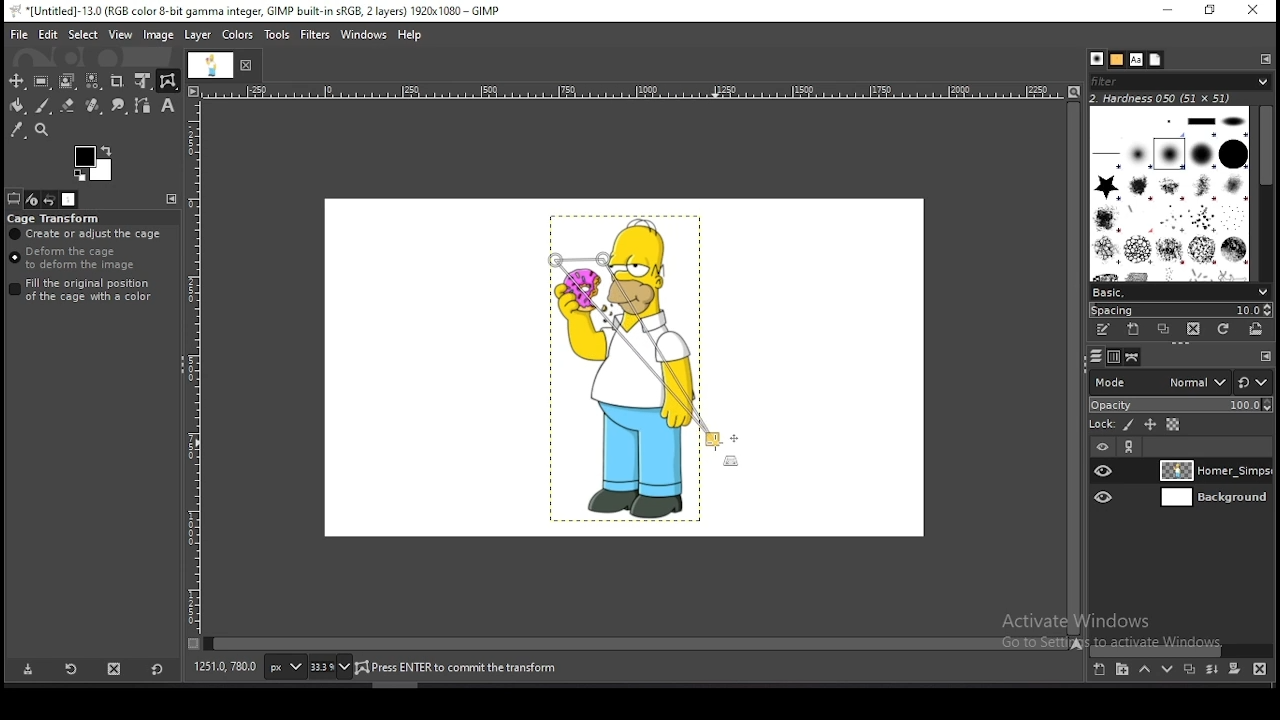 This screenshot has height=720, width=1280. Describe the element at coordinates (1097, 60) in the screenshot. I see `brushes` at that location.